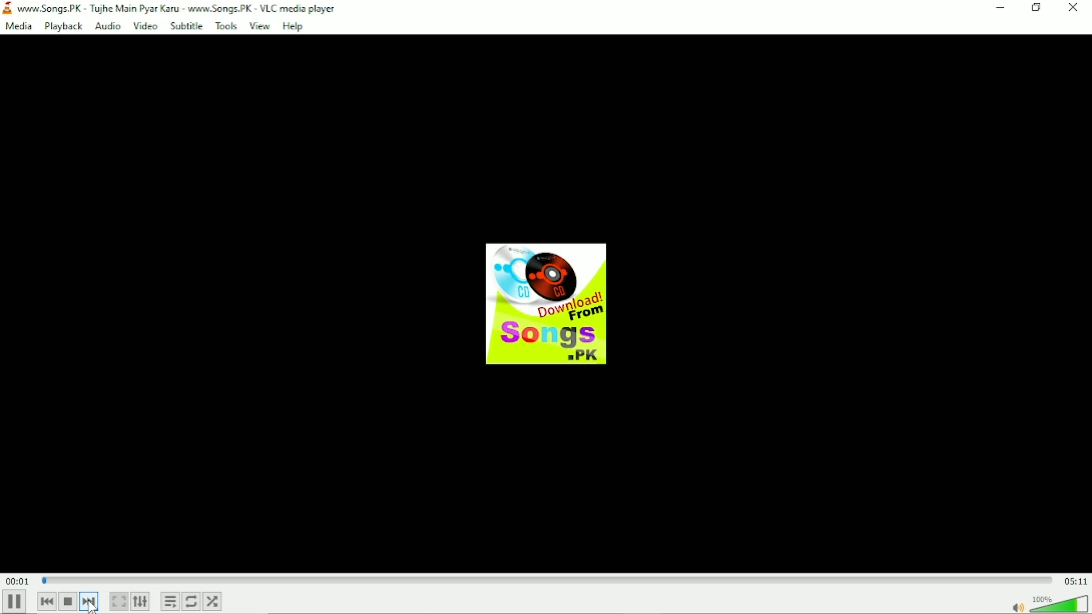 Image resolution: width=1092 pixels, height=614 pixels. Describe the element at coordinates (190, 601) in the screenshot. I see `Click to toggle between loop all, loop one and no loop` at that location.